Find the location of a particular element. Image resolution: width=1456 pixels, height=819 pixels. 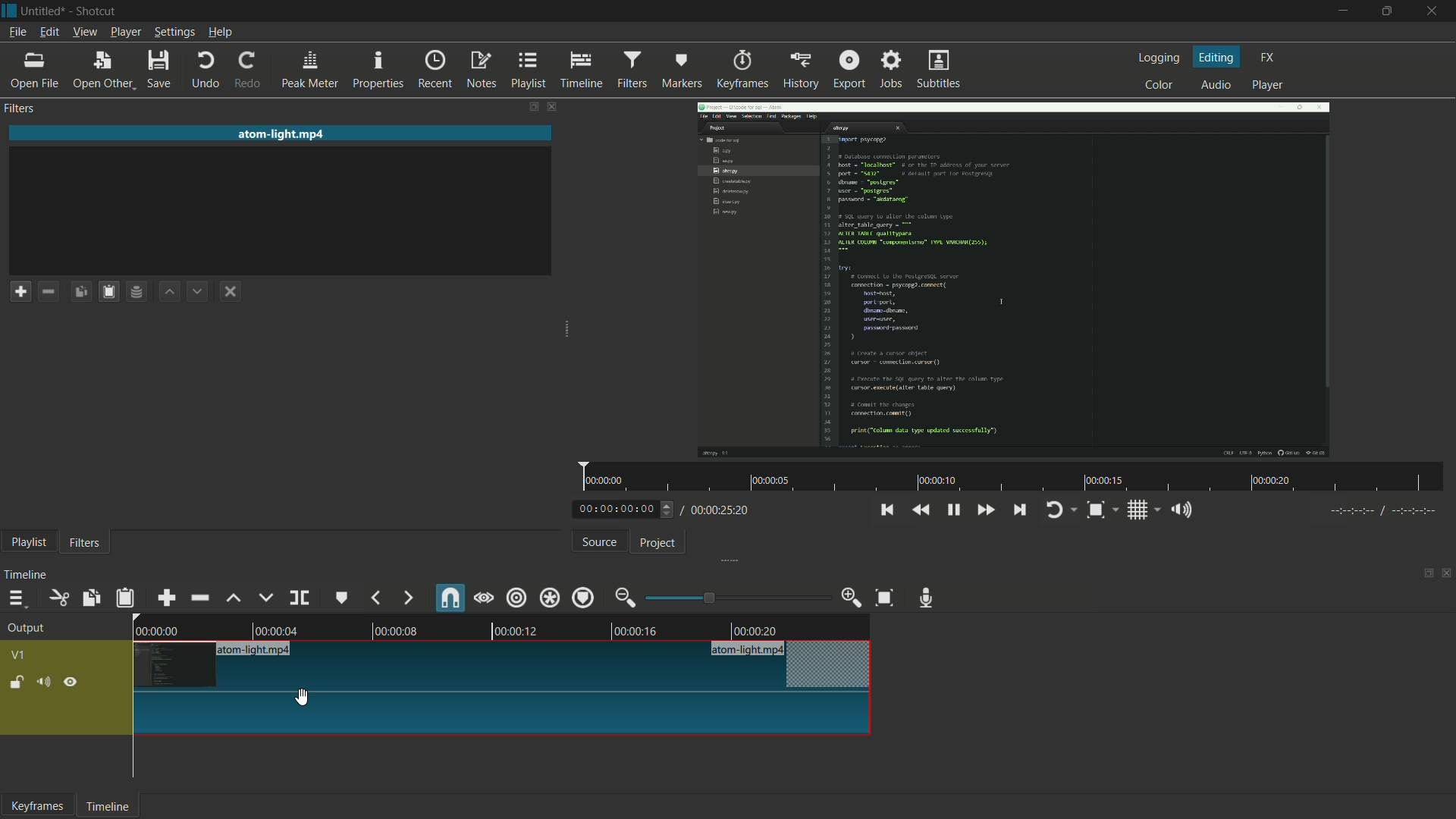

keyframes is located at coordinates (742, 71).